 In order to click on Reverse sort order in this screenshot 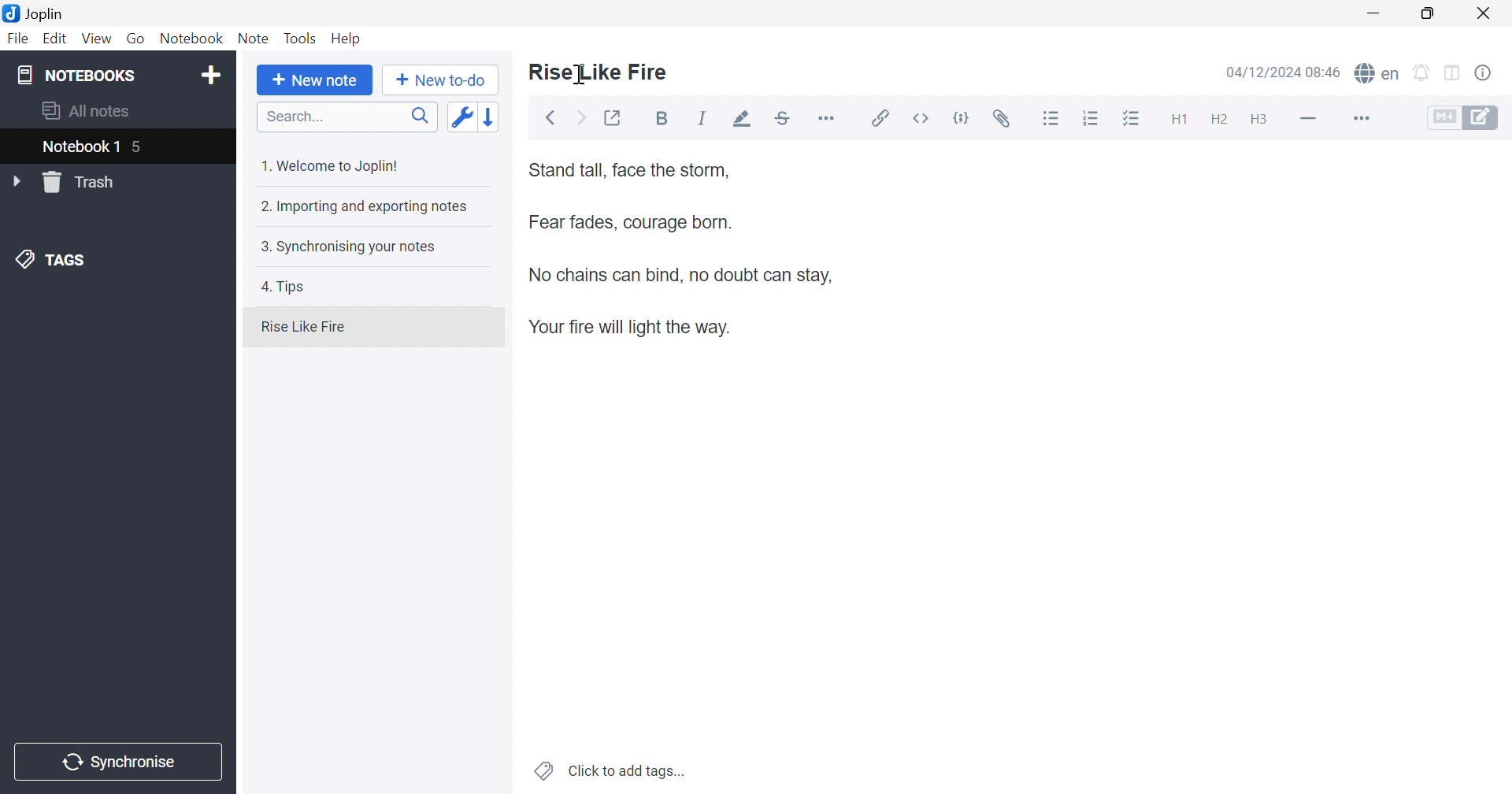, I will do `click(491, 117)`.